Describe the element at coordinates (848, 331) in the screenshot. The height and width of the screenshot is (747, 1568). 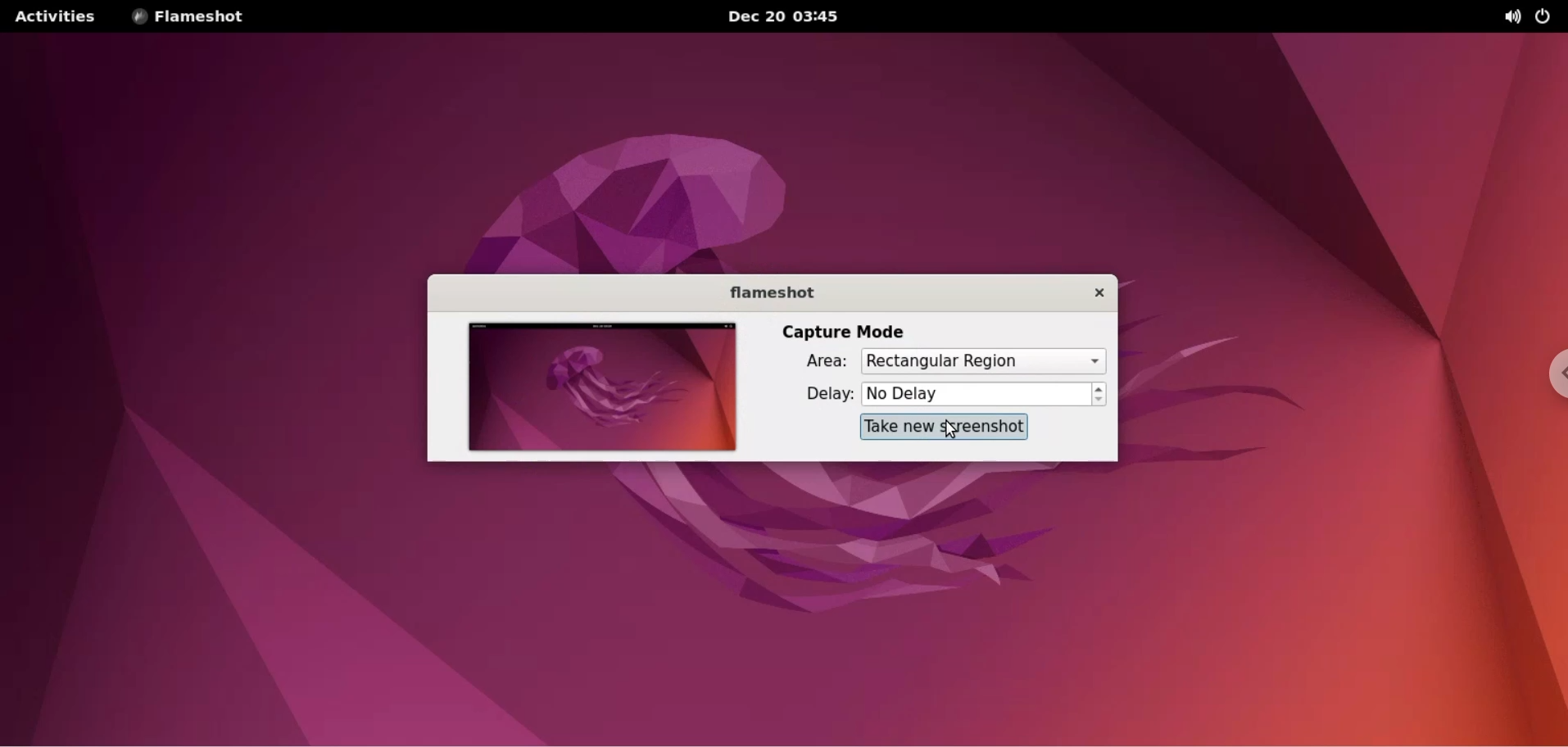
I see `capture mode label` at that location.